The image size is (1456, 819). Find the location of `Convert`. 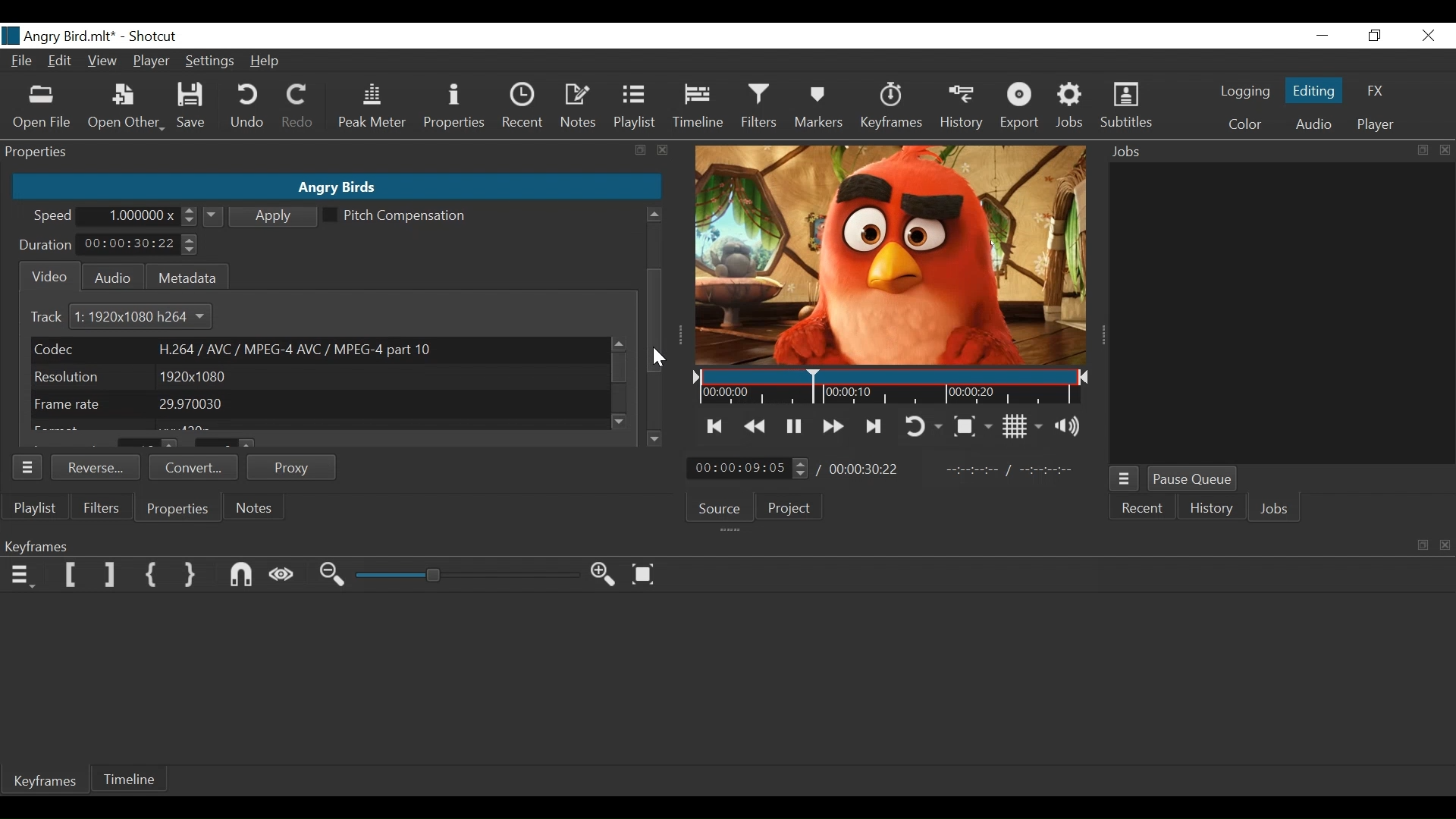

Convert is located at coordinates (192, 467).